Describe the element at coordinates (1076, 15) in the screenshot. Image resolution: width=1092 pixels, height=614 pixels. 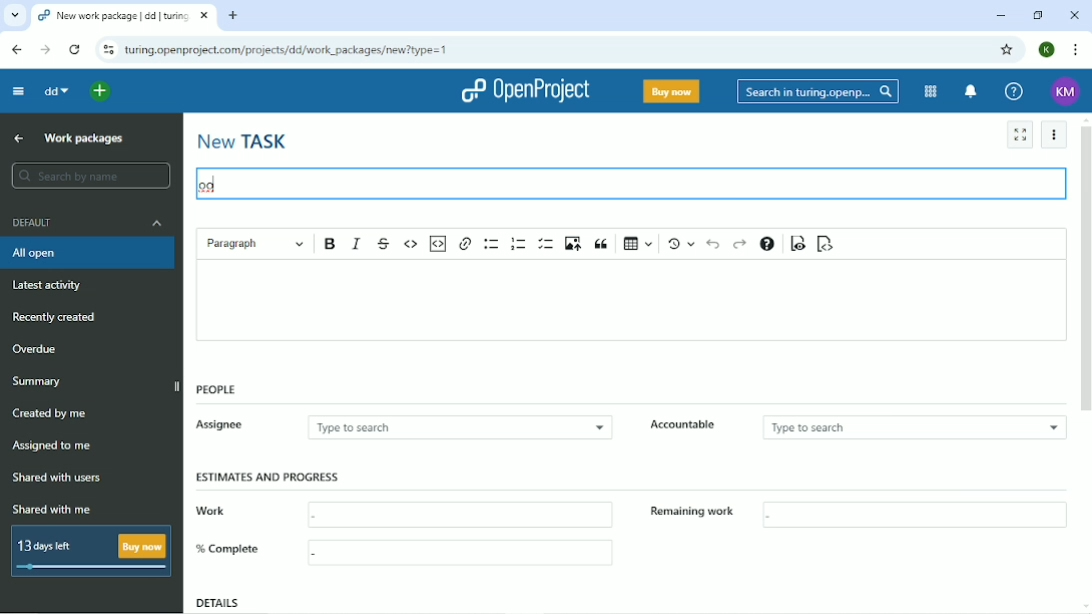
I see `Close` at that location.